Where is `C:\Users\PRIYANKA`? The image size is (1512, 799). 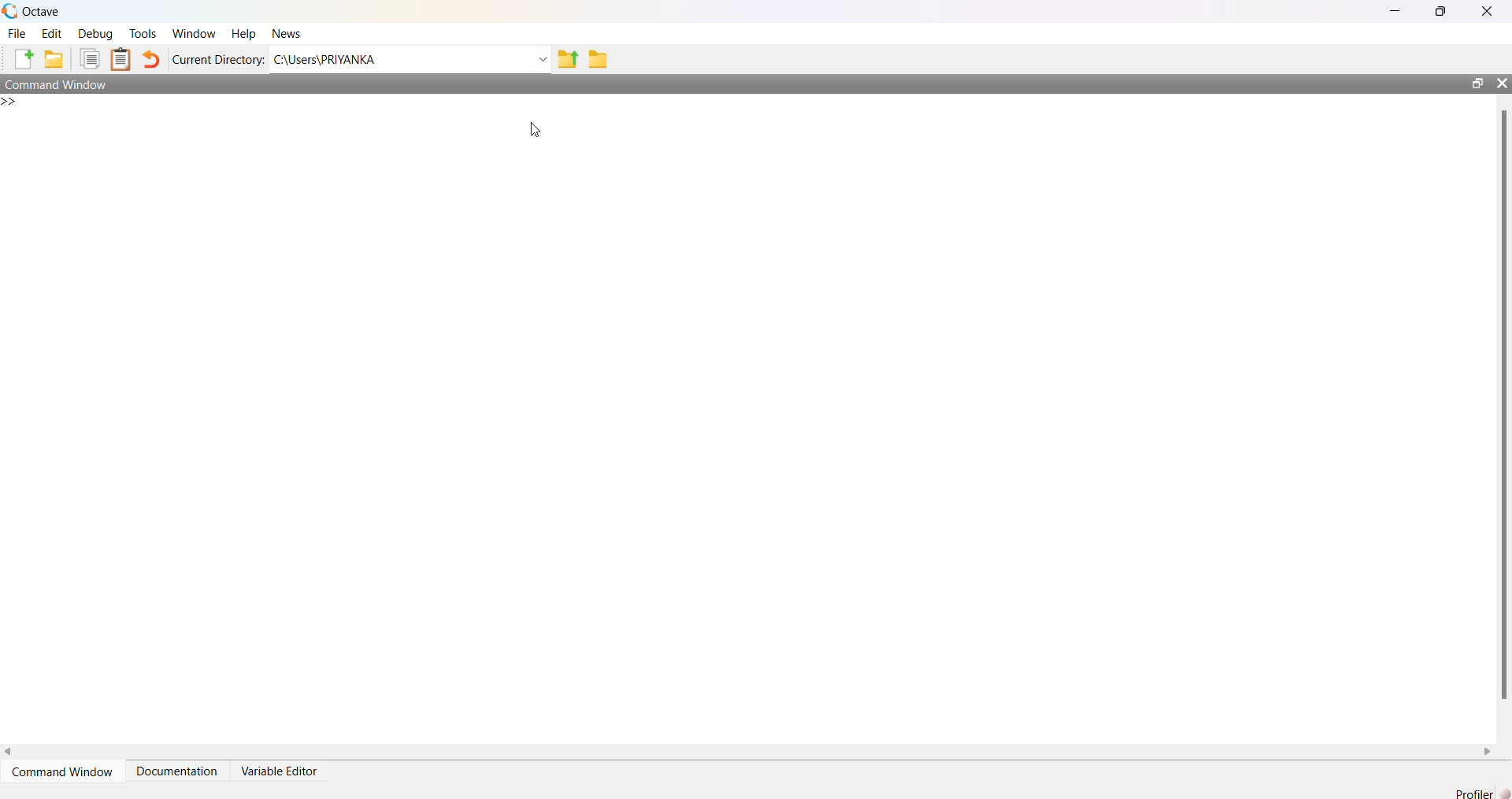 C:\Users\PRIYANKA is located at coordinates (343, 59).